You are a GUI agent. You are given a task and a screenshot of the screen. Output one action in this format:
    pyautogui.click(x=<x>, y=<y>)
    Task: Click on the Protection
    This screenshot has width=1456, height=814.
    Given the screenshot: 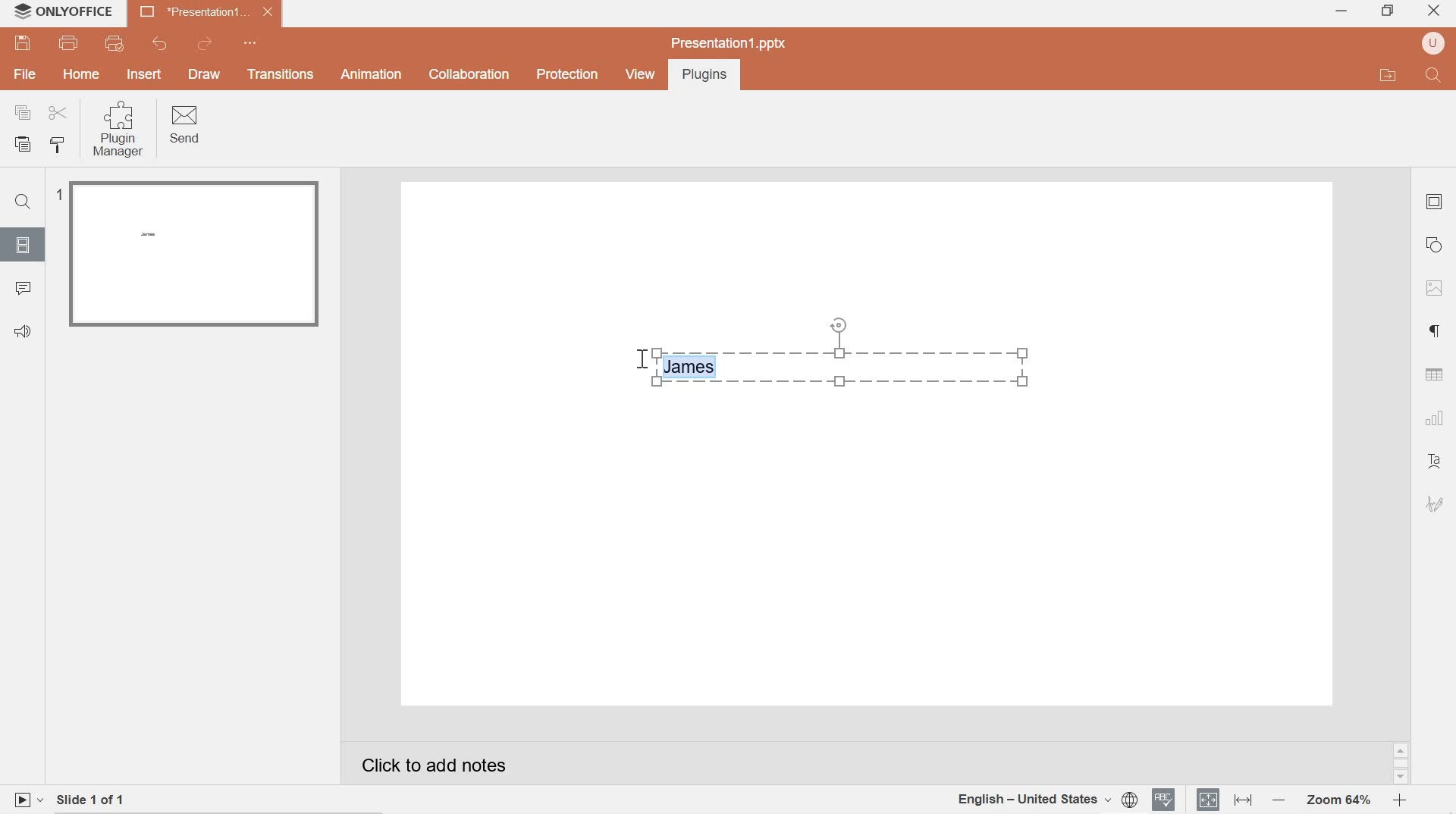 What is the action you would take?
    pyautogui.click(x=566, y=75)
    